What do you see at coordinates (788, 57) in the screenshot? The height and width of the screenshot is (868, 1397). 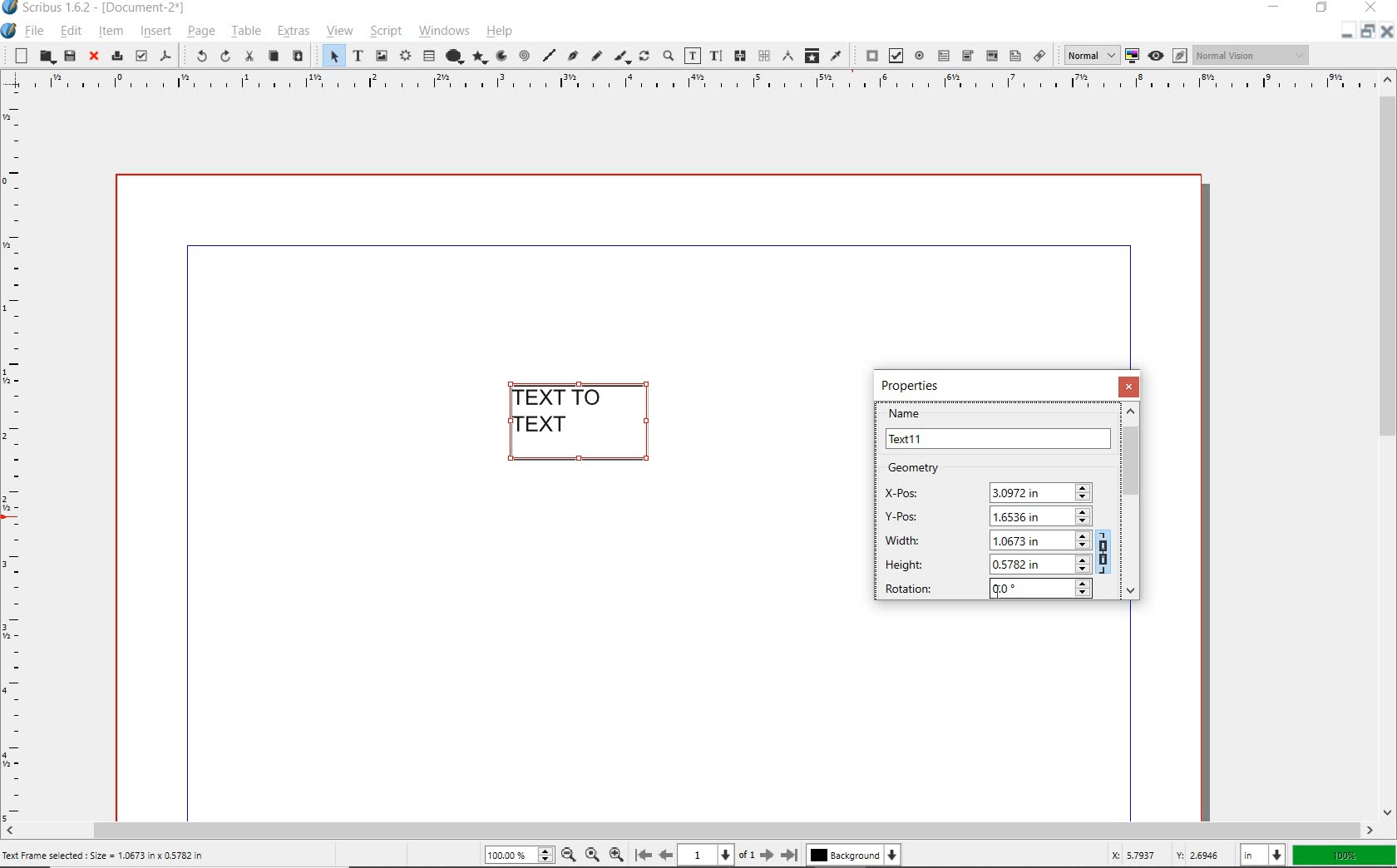 I see `measurements` at bounding box center [788, 57].